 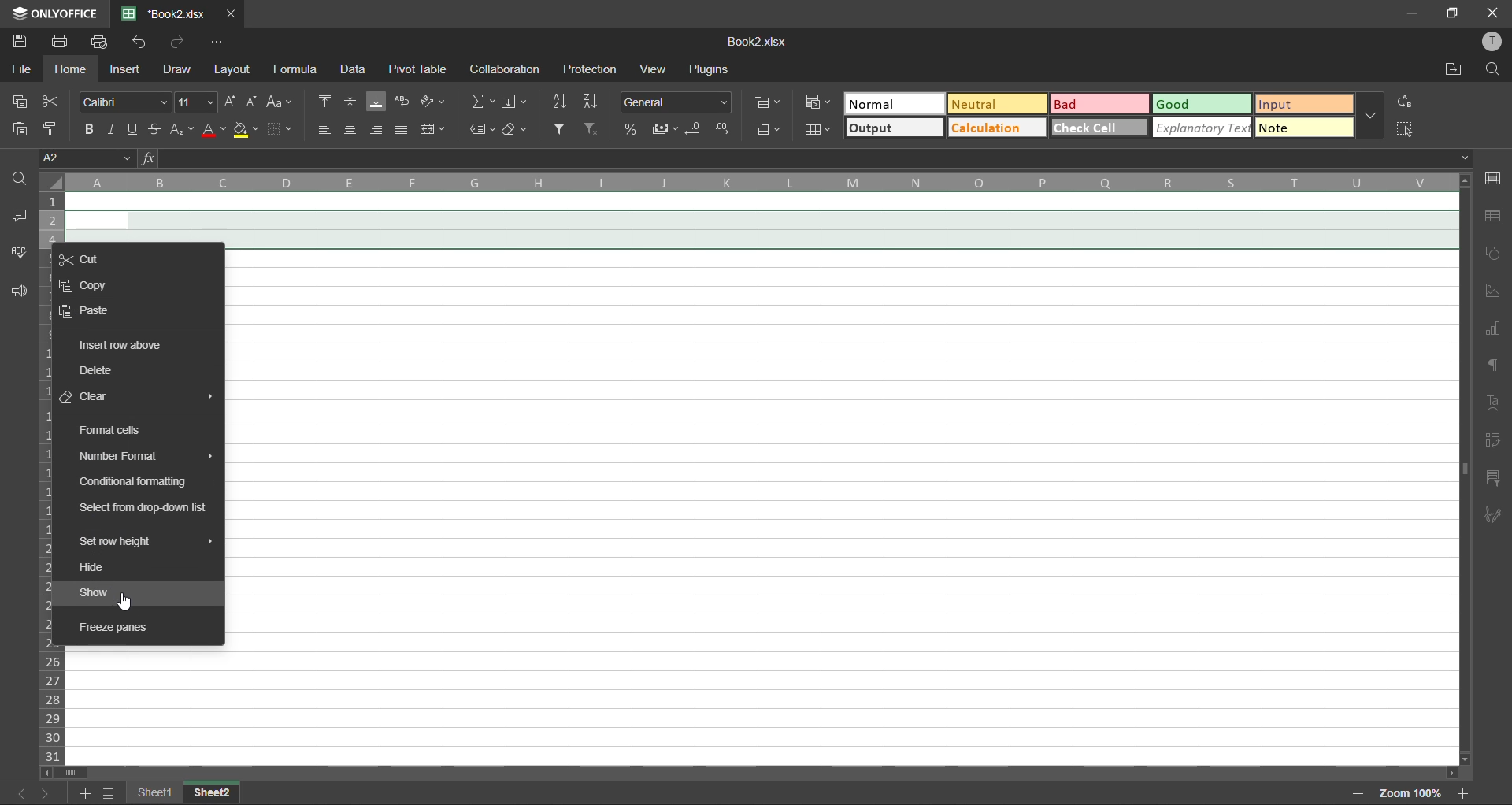 I want to click on maximize, so click(x=1453, y=14).